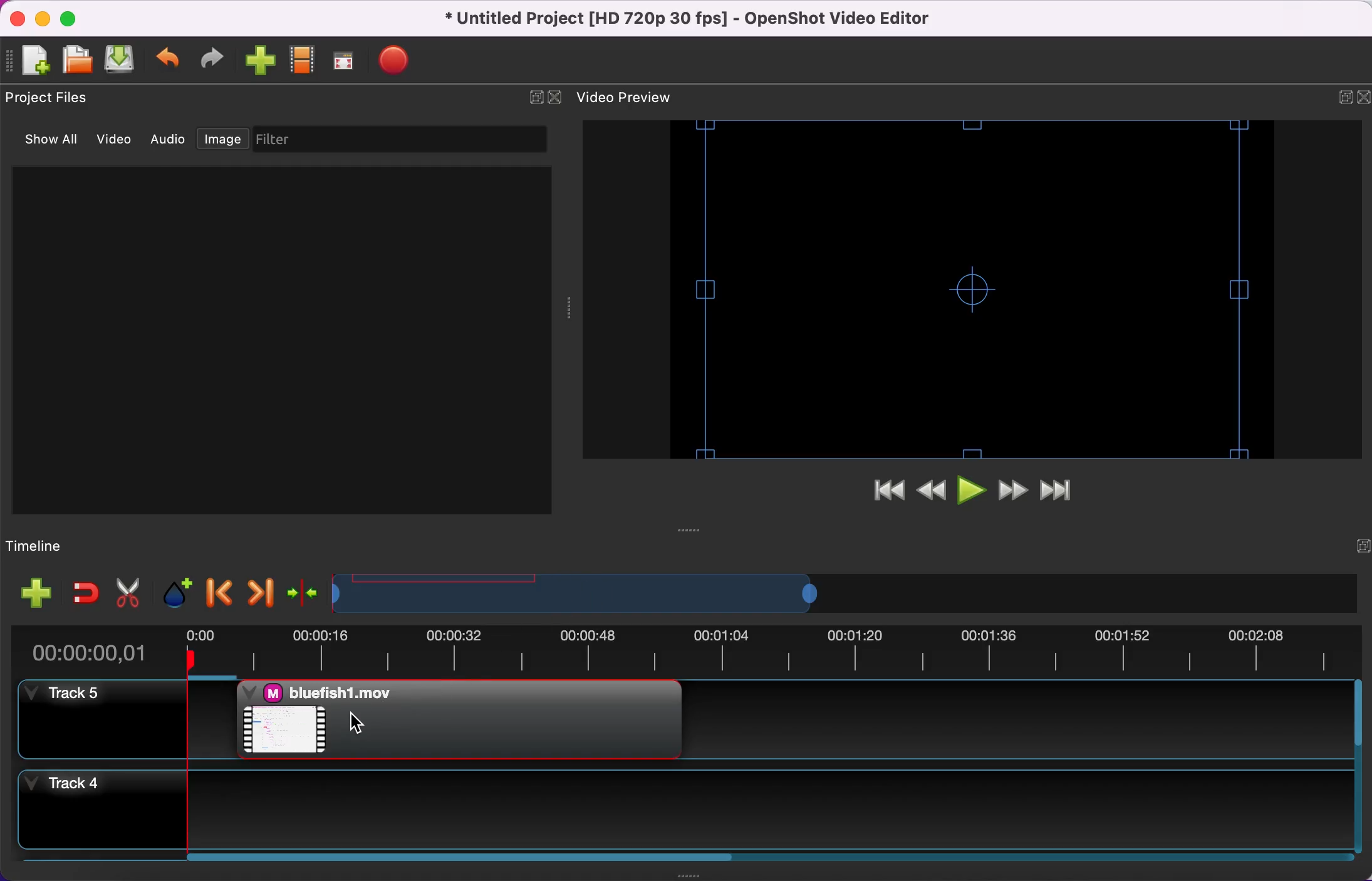  What do you see at coordinates (221, 140) in the screenshot?
I see `image` at bounding box center [221, 140].